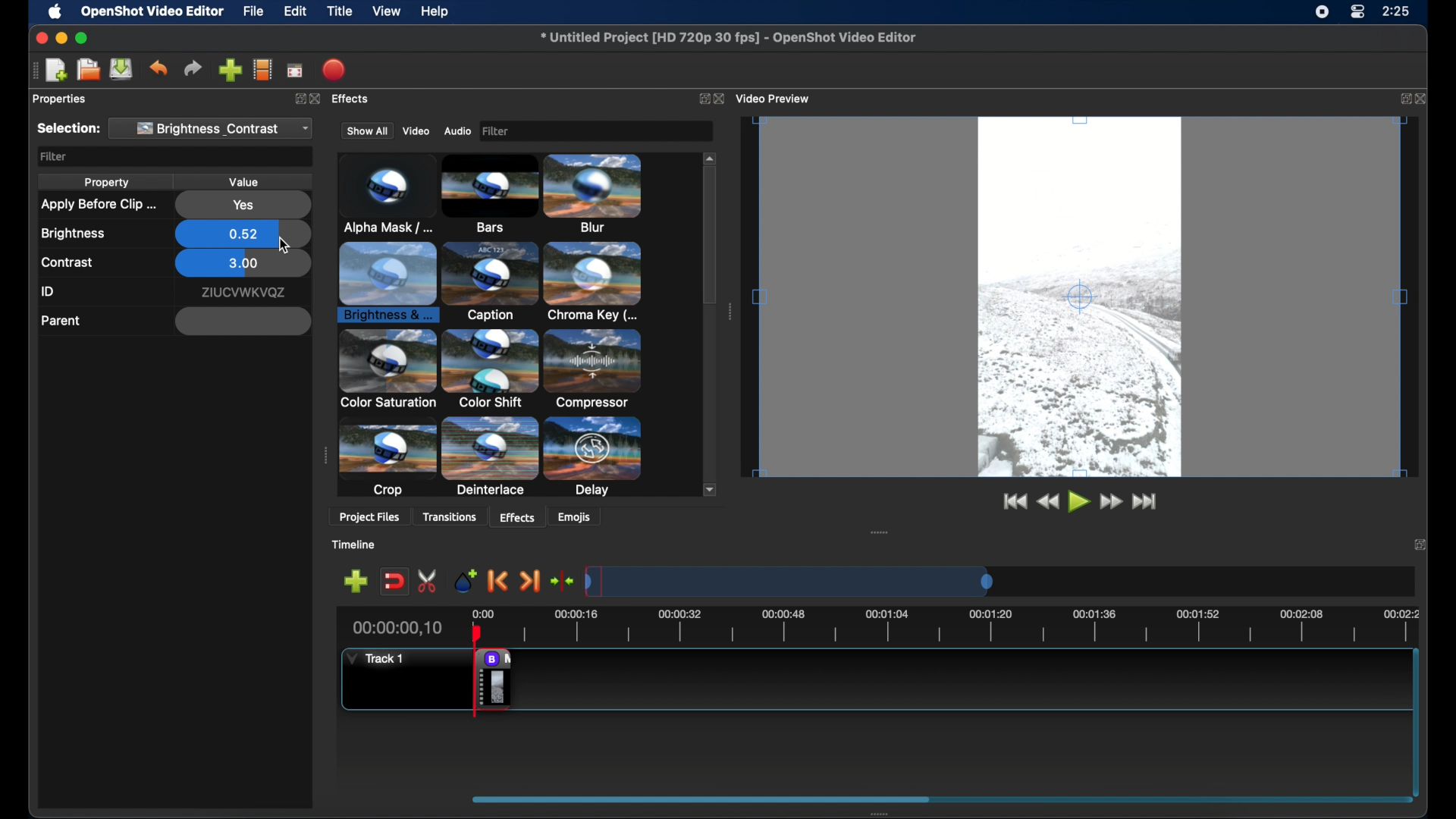 Image resolution: width=1456 pixels, height=819 pixels. I want to click on selection:, so click(67, 129).